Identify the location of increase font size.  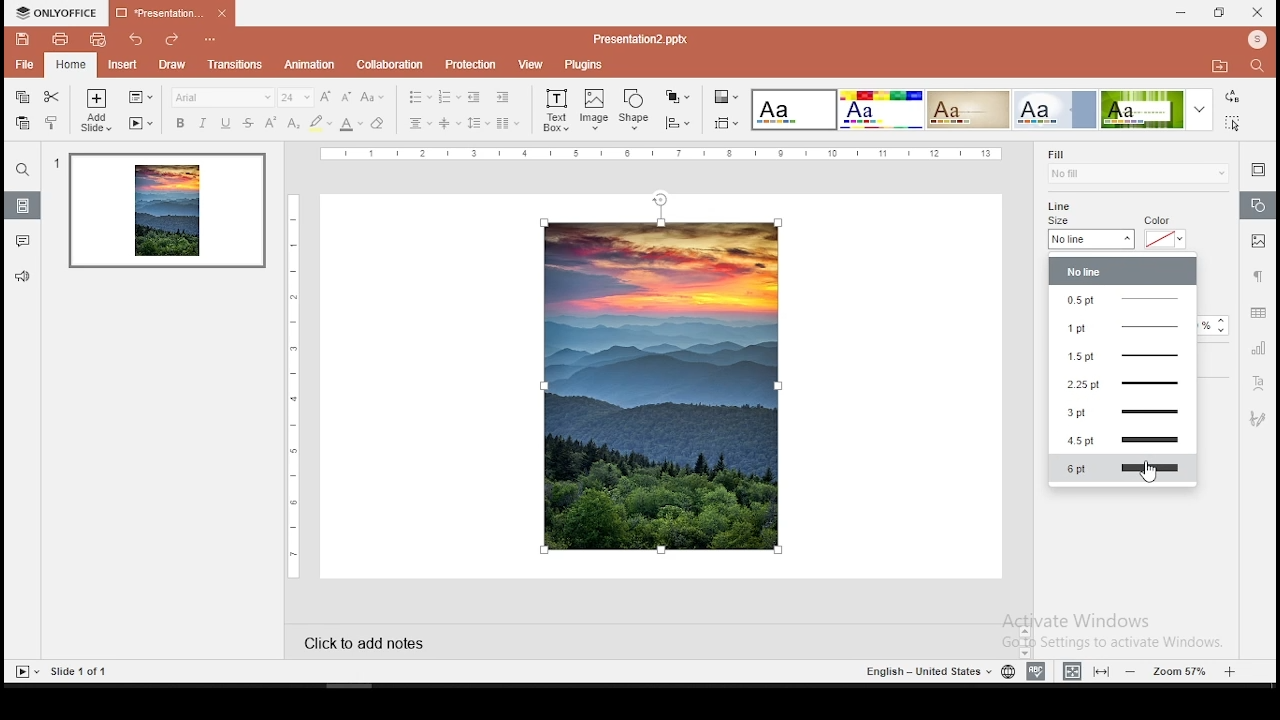
(326, 96).